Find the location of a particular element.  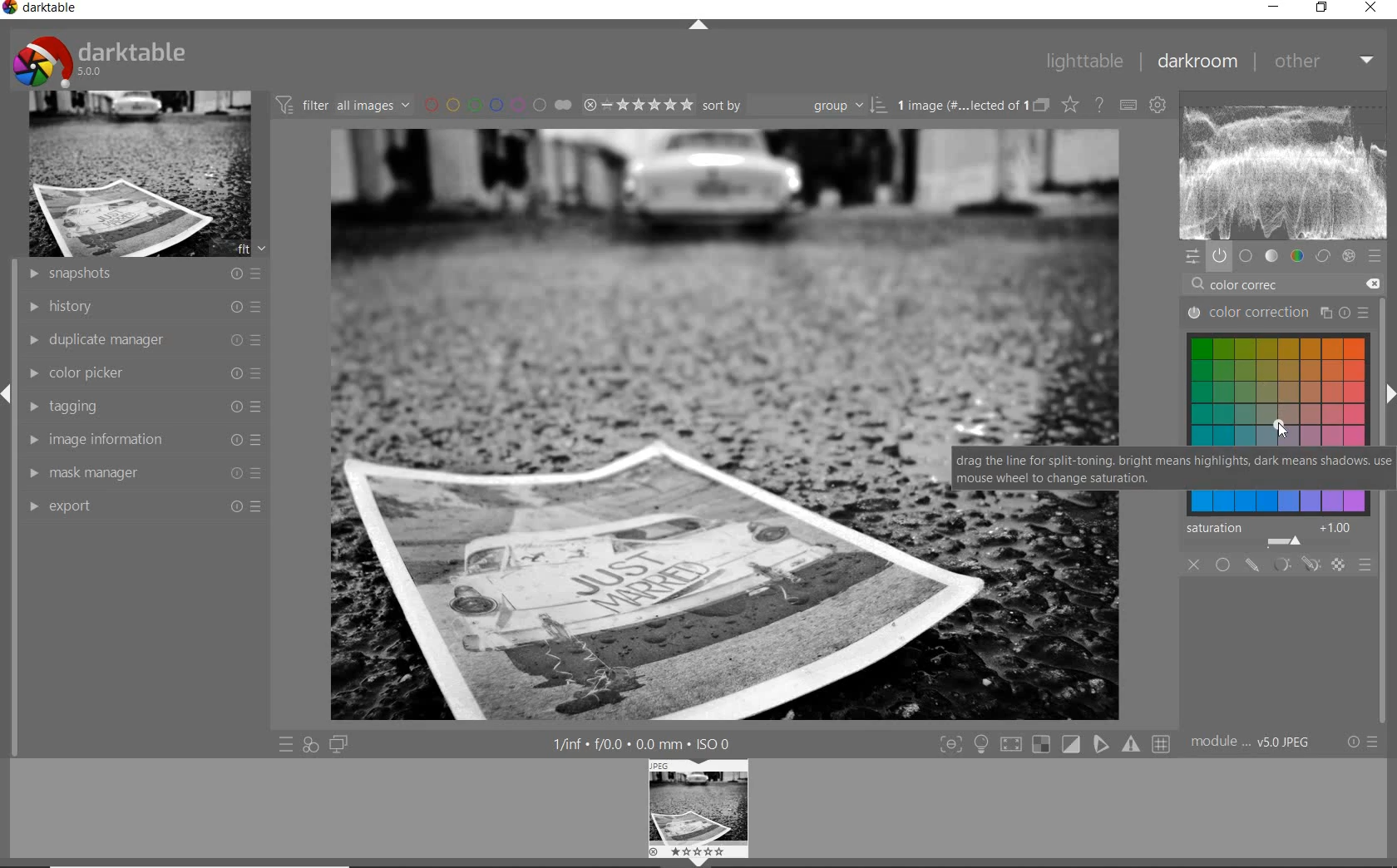

cursor position is located at coordinates (1281, 428).